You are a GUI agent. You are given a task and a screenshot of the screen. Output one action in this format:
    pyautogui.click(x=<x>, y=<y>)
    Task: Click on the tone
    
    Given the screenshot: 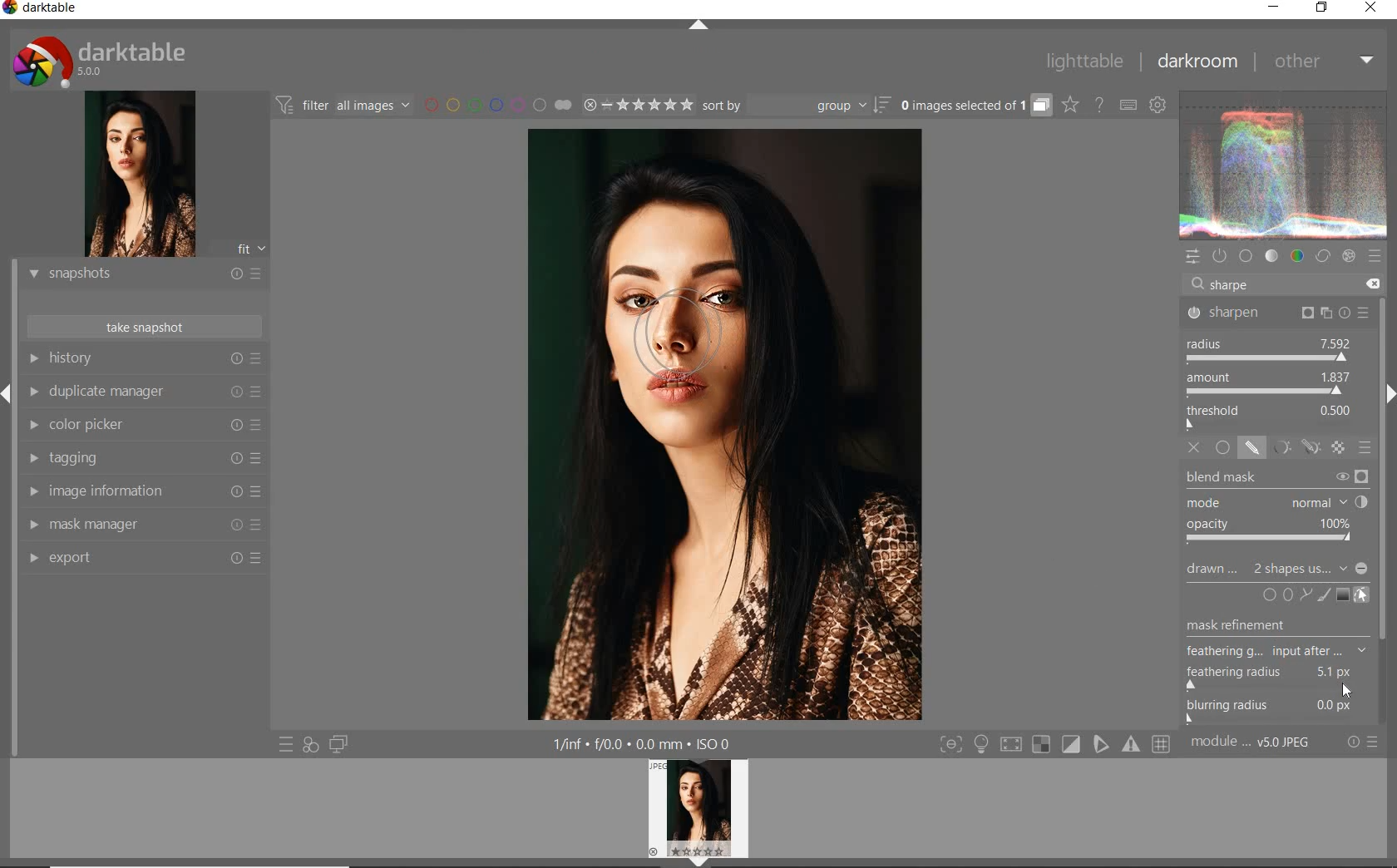 What is the action you would take?
    pyautogui.click(x=1271, y=258)
    